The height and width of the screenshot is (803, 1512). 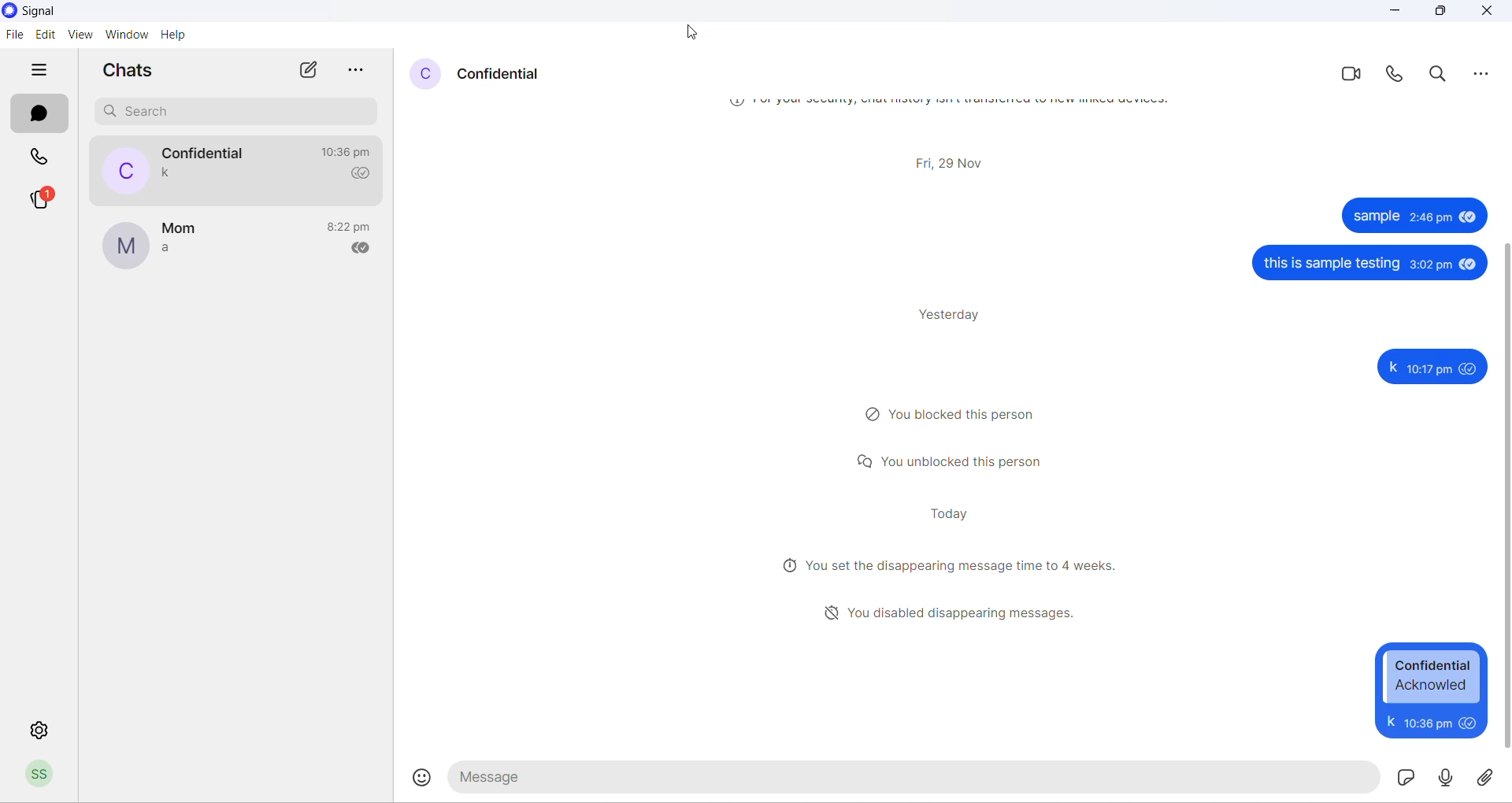 I want to click on seen, so click(x=1468, y=265).